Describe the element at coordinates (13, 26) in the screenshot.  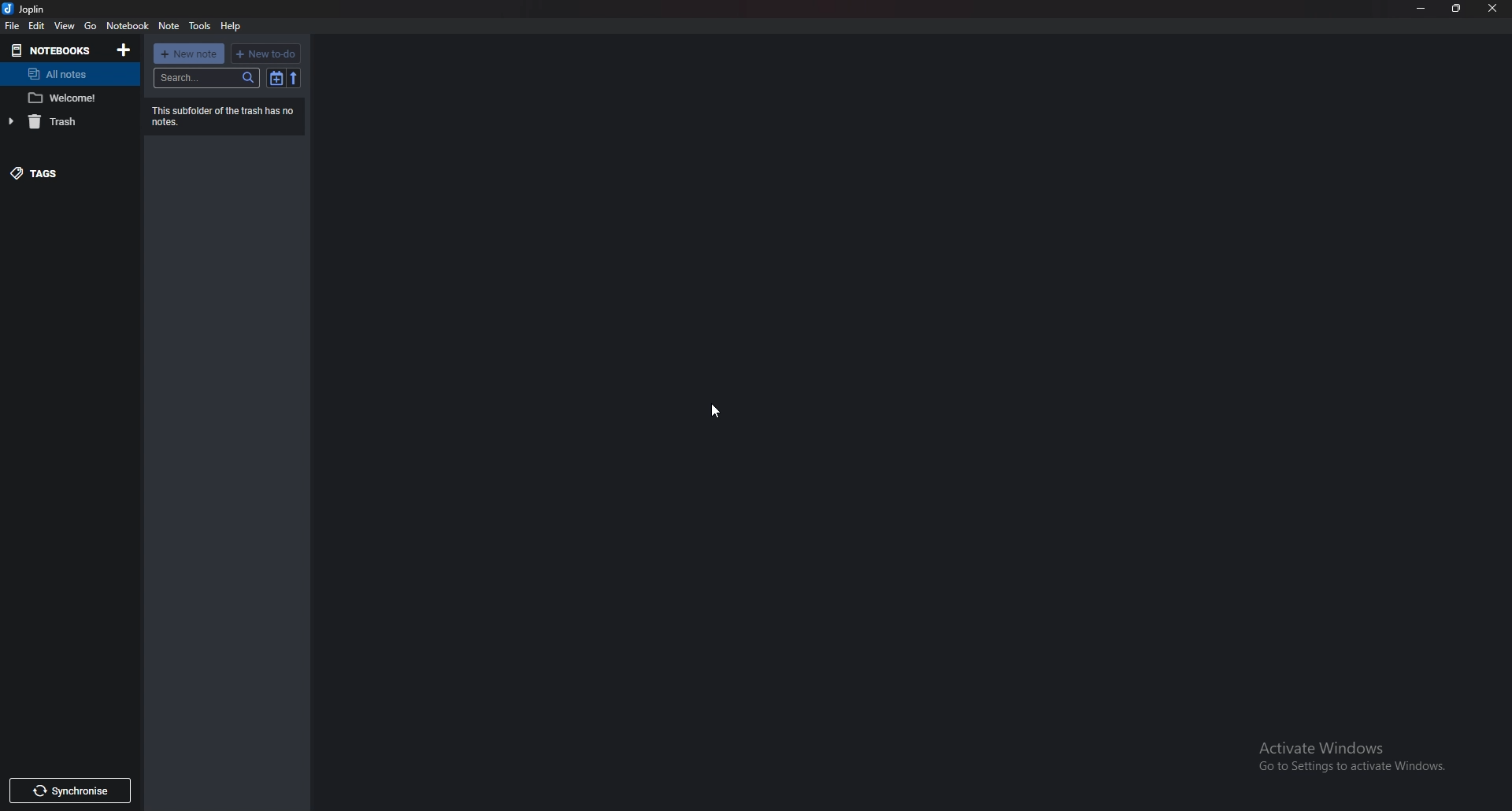
I see `file` at that location.